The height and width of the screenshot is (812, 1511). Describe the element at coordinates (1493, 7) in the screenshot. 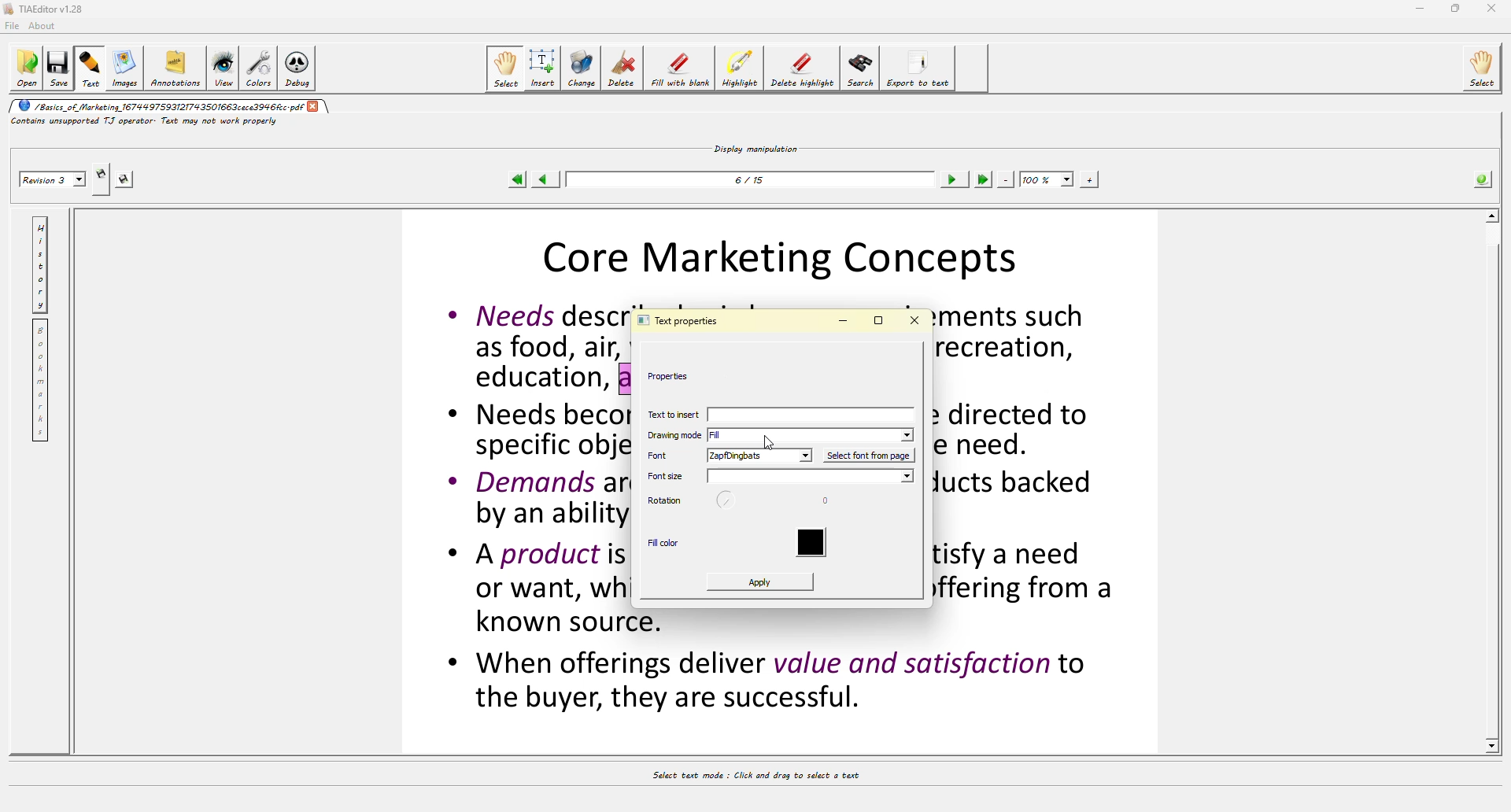

I see `close` at that location.